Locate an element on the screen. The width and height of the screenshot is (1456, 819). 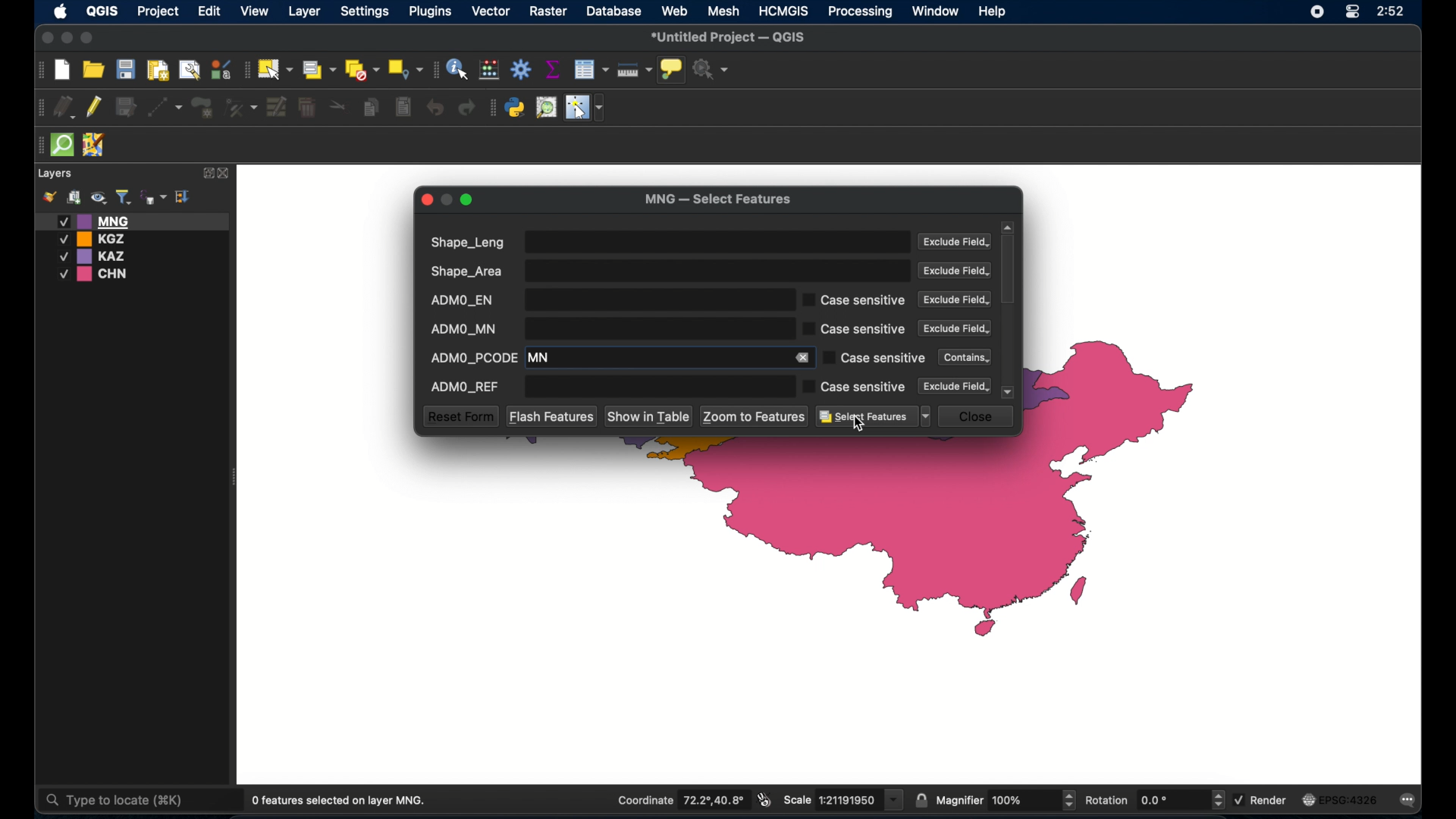
shape_area is located at coordinates (668, 271).